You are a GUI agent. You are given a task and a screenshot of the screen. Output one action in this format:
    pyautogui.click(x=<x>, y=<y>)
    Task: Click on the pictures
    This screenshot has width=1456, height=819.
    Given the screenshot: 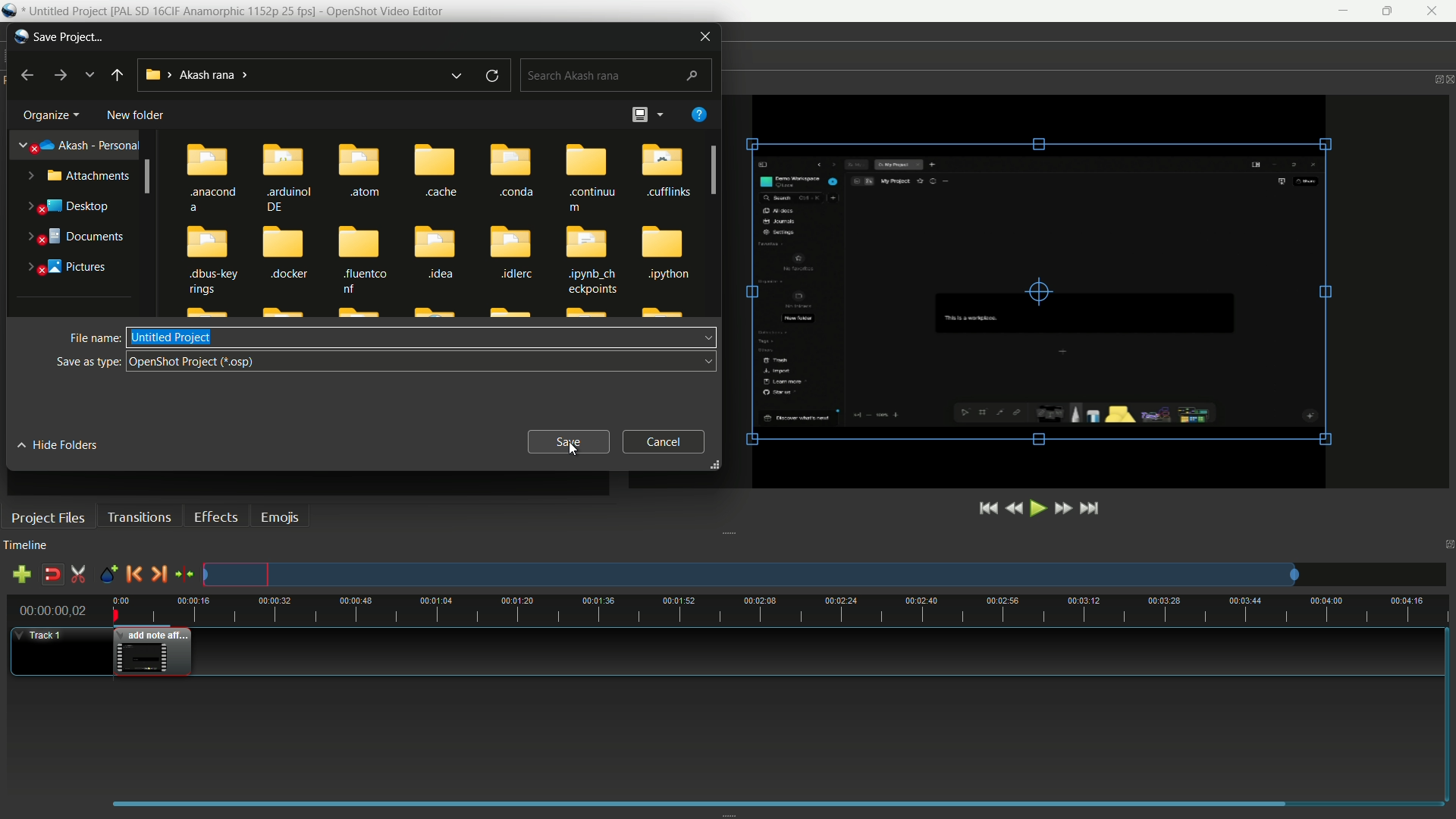 What is the action you would take?
    pyautogui.click(x=67, y=268)
    